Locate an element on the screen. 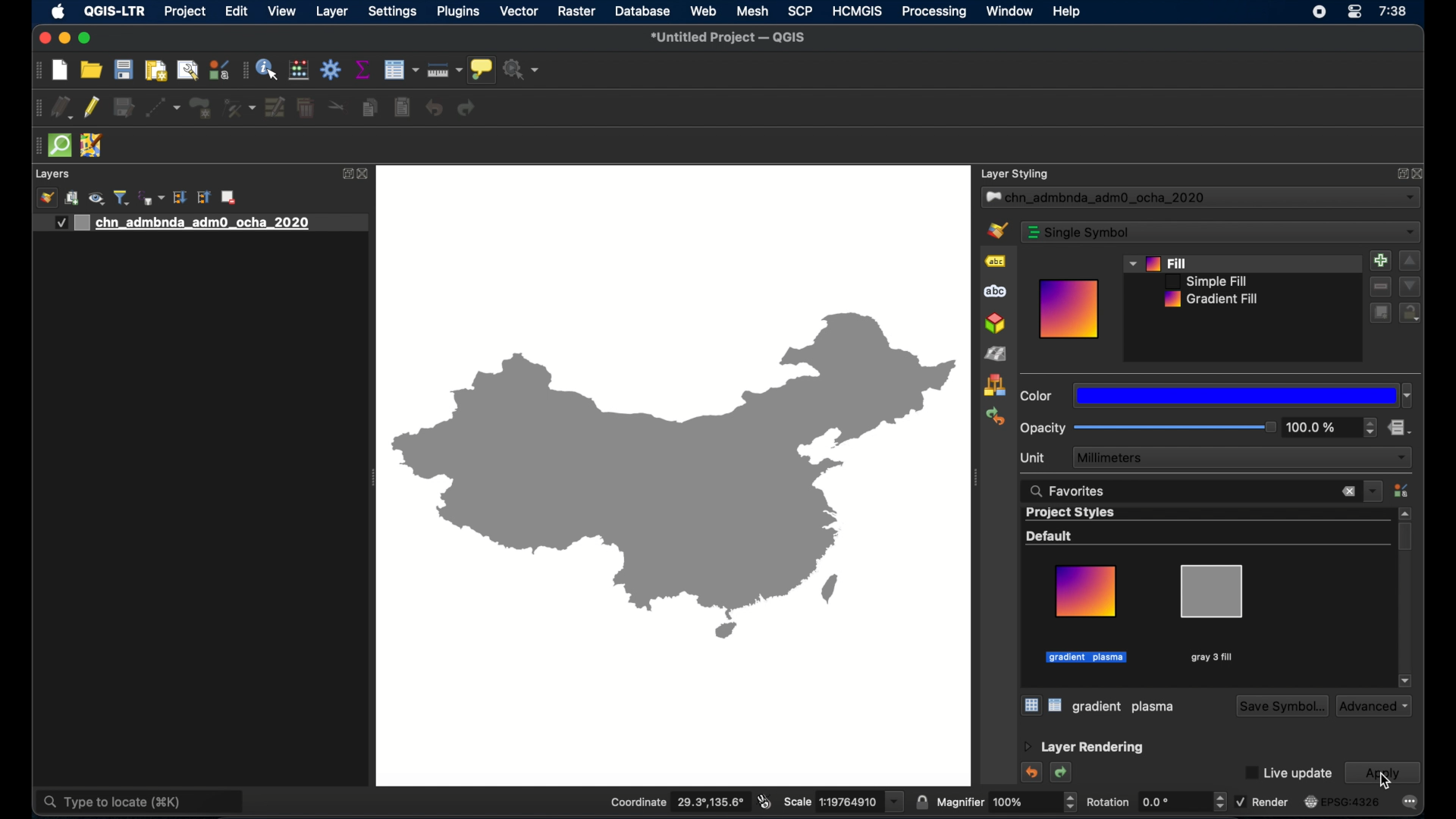 This screenshot has width=1456, height=819. minimize is located at coordinates (65, 39).